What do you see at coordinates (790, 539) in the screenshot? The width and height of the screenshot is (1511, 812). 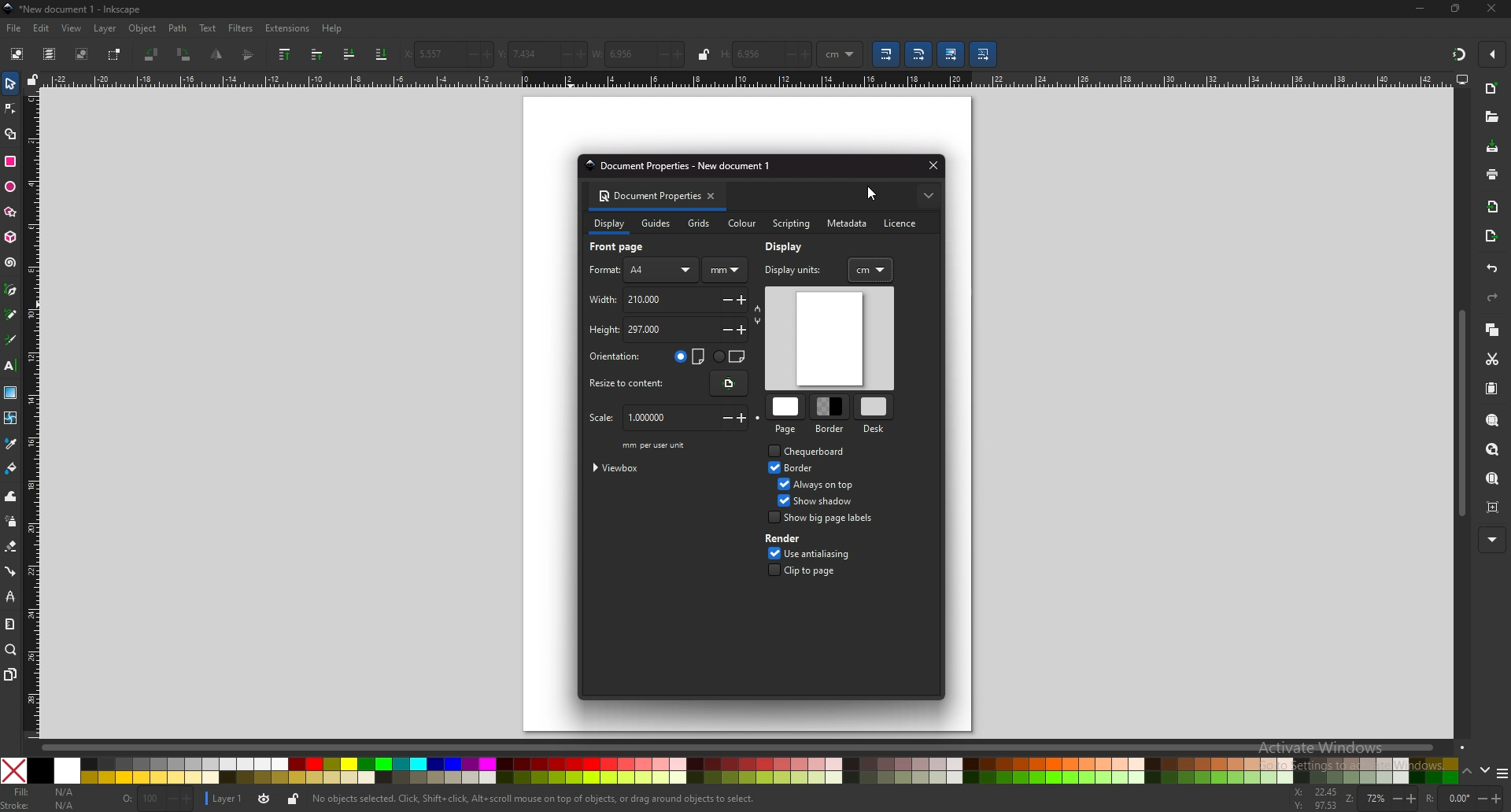 I see `render` at bounding box center [790, 539].